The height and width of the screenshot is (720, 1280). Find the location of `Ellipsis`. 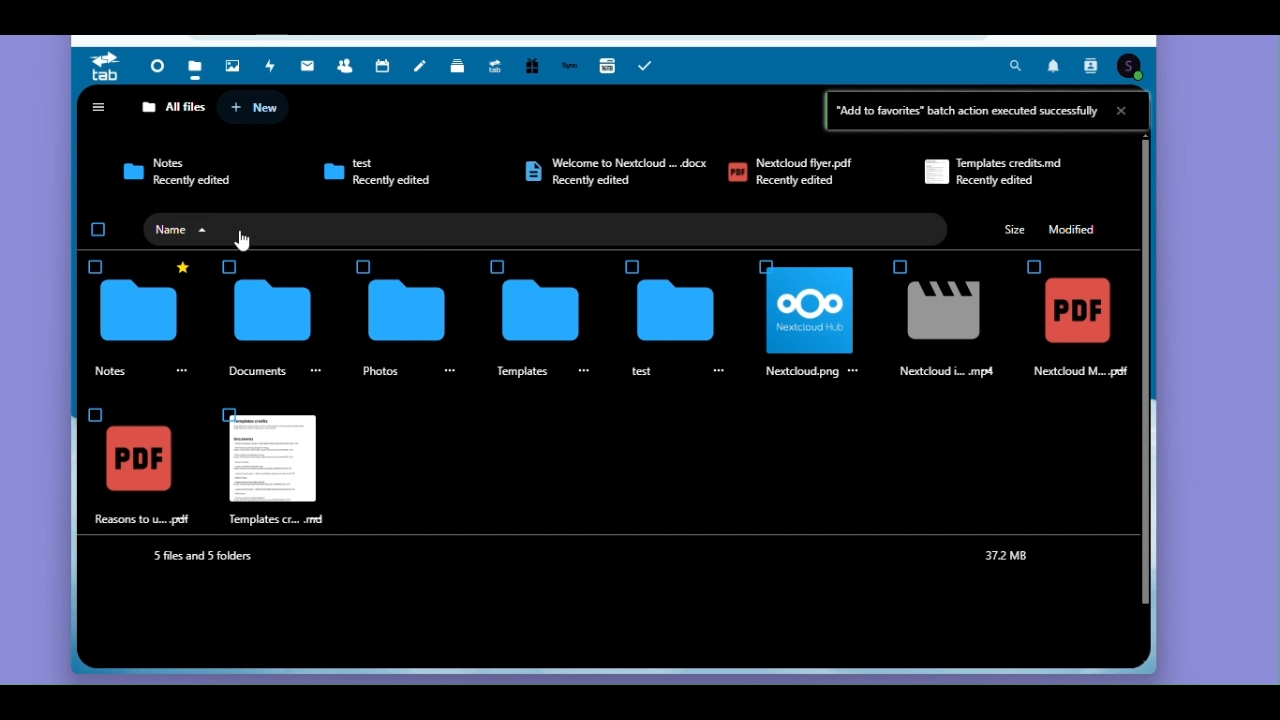

Ellipsis is located at coordinates (854, 372).